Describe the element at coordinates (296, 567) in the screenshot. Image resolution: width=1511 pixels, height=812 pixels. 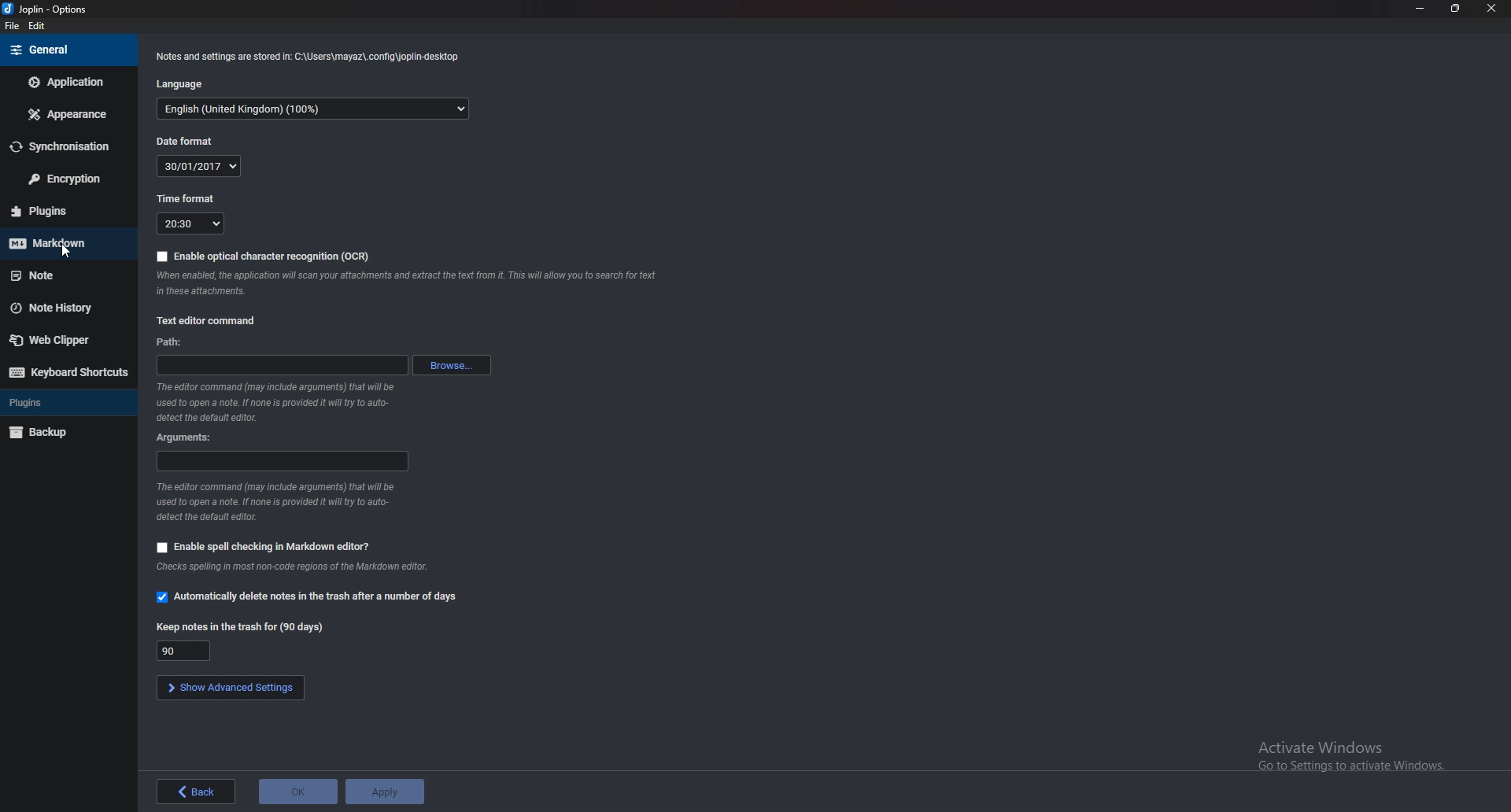
I see `Checks spelling in most non-code regions of the Markdown editor.` at that location.